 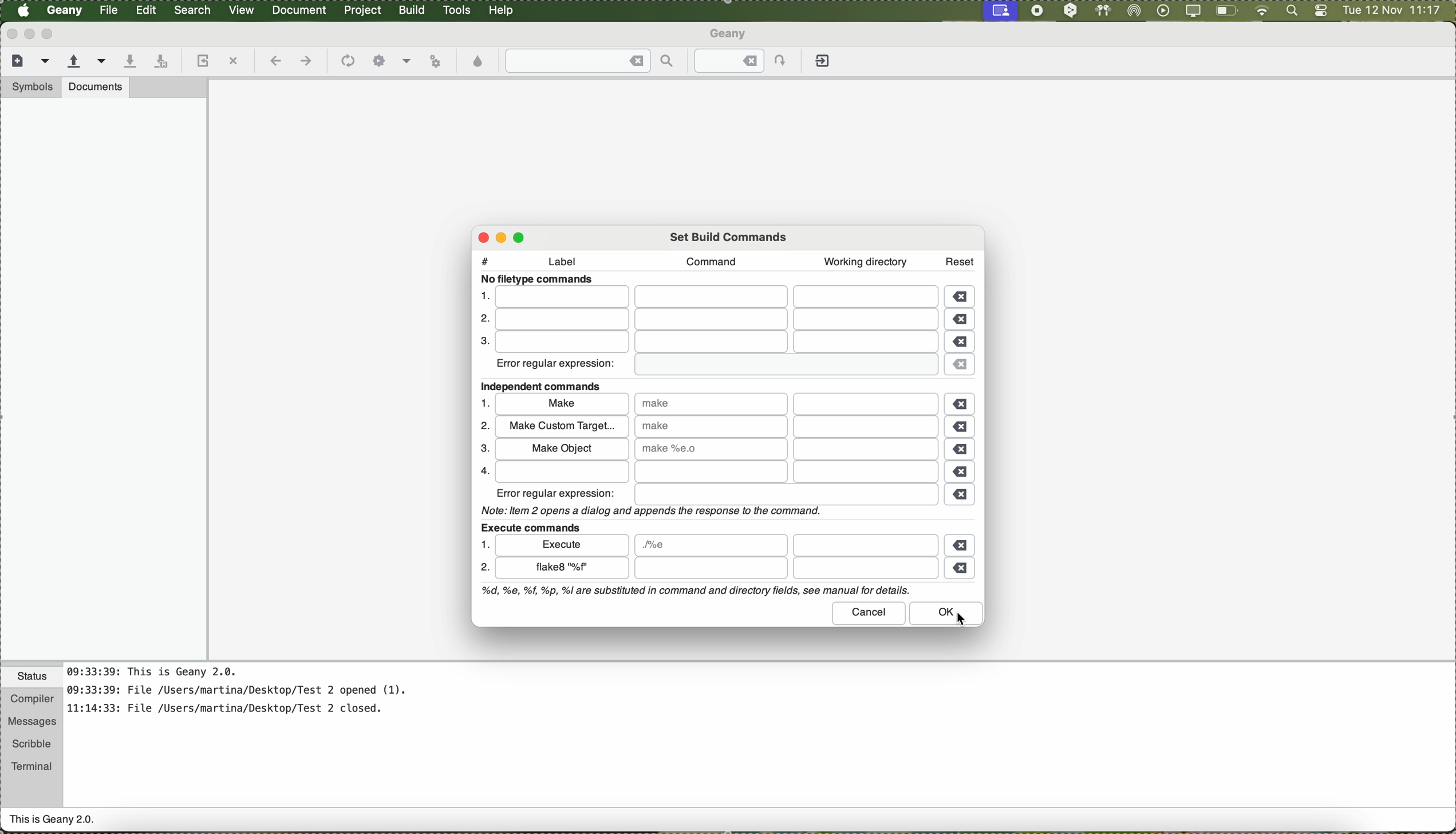 What do you see at coordinates (102, 61) in the screenshot?
I see `open a recent file` at bounding box center [102, 61].